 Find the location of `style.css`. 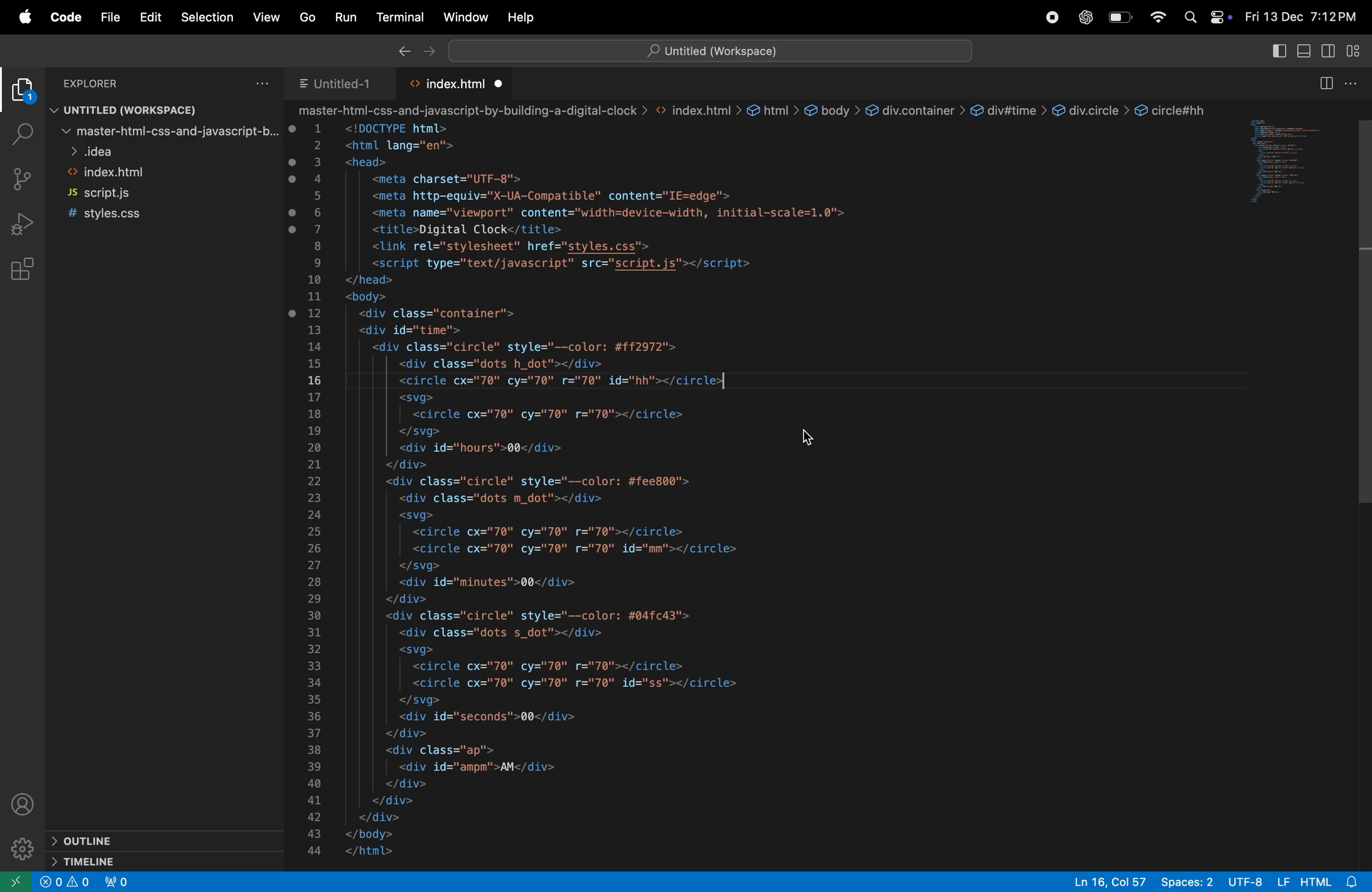

style.css is located at coordinates (149, 213).